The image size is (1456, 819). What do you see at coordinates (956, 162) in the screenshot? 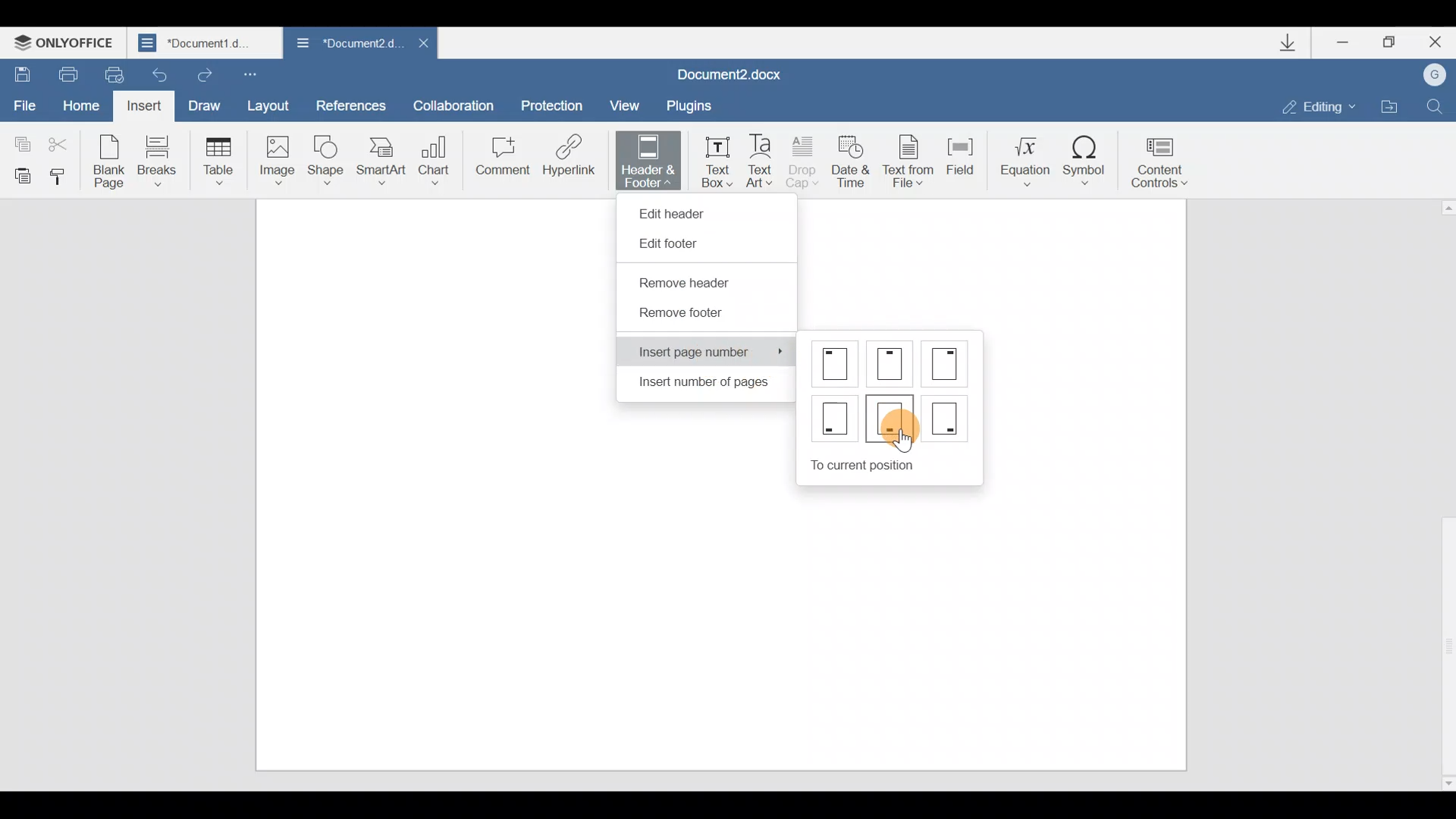
I see `Field` at bounding box center [956, 162].